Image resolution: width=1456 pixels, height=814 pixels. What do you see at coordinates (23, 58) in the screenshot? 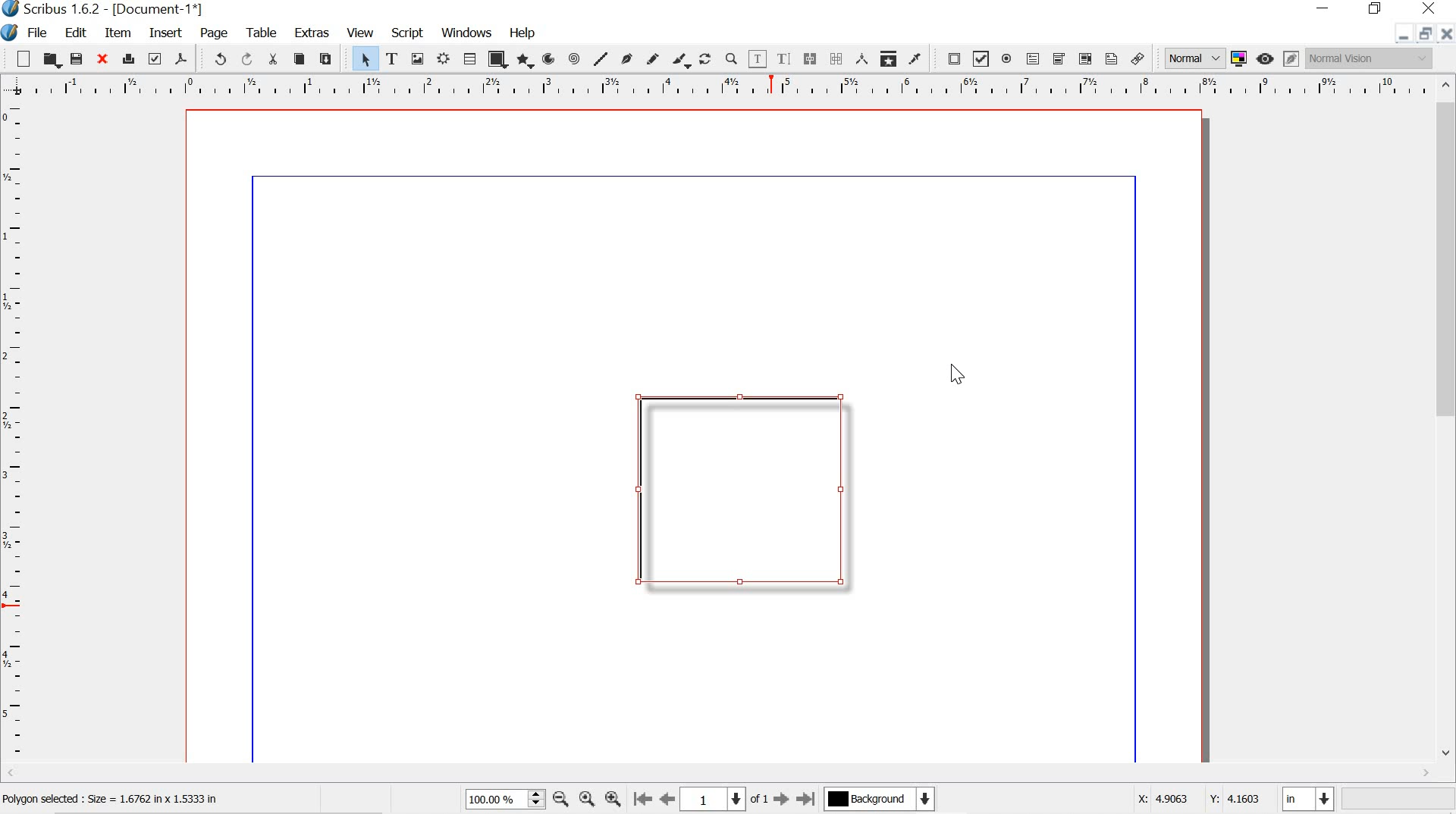
I see `new` at bounding box center [23, 58].